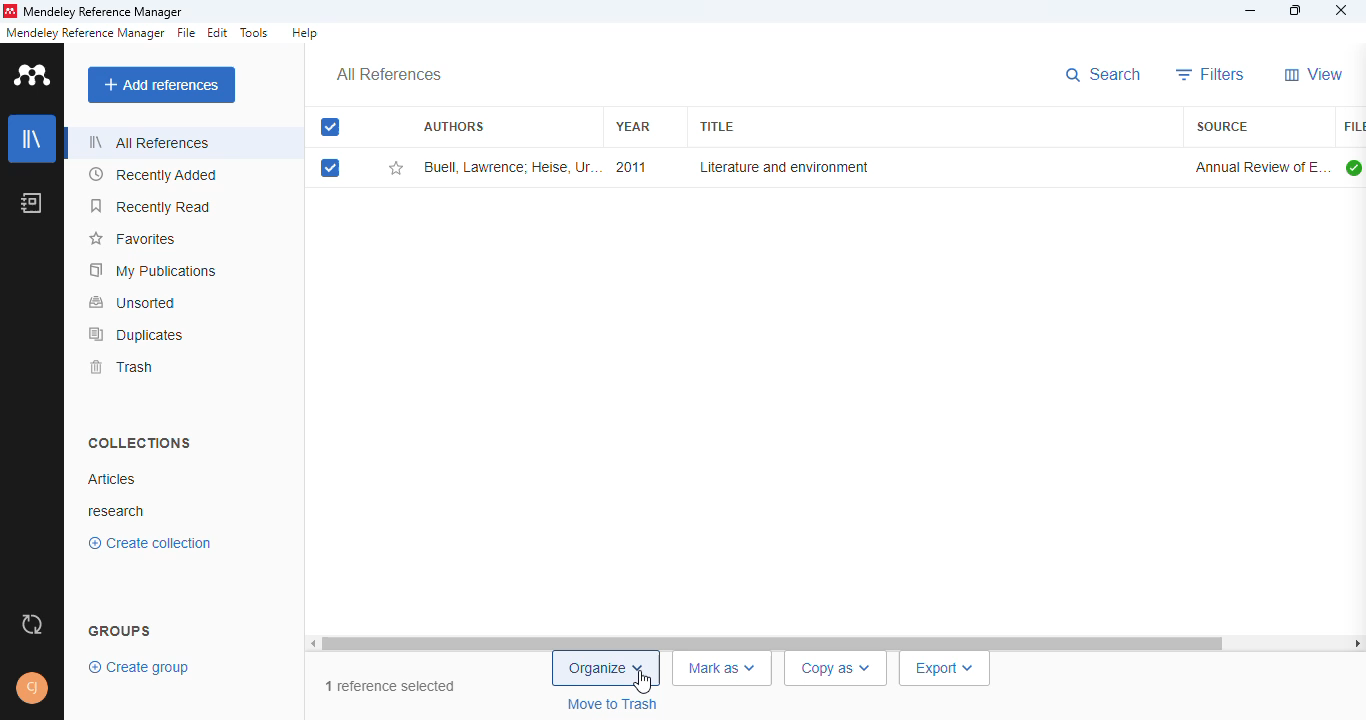  What do you see at coordinates (607, 669) in the screenshot?
I see `organize` at bounding box center [607, 669].